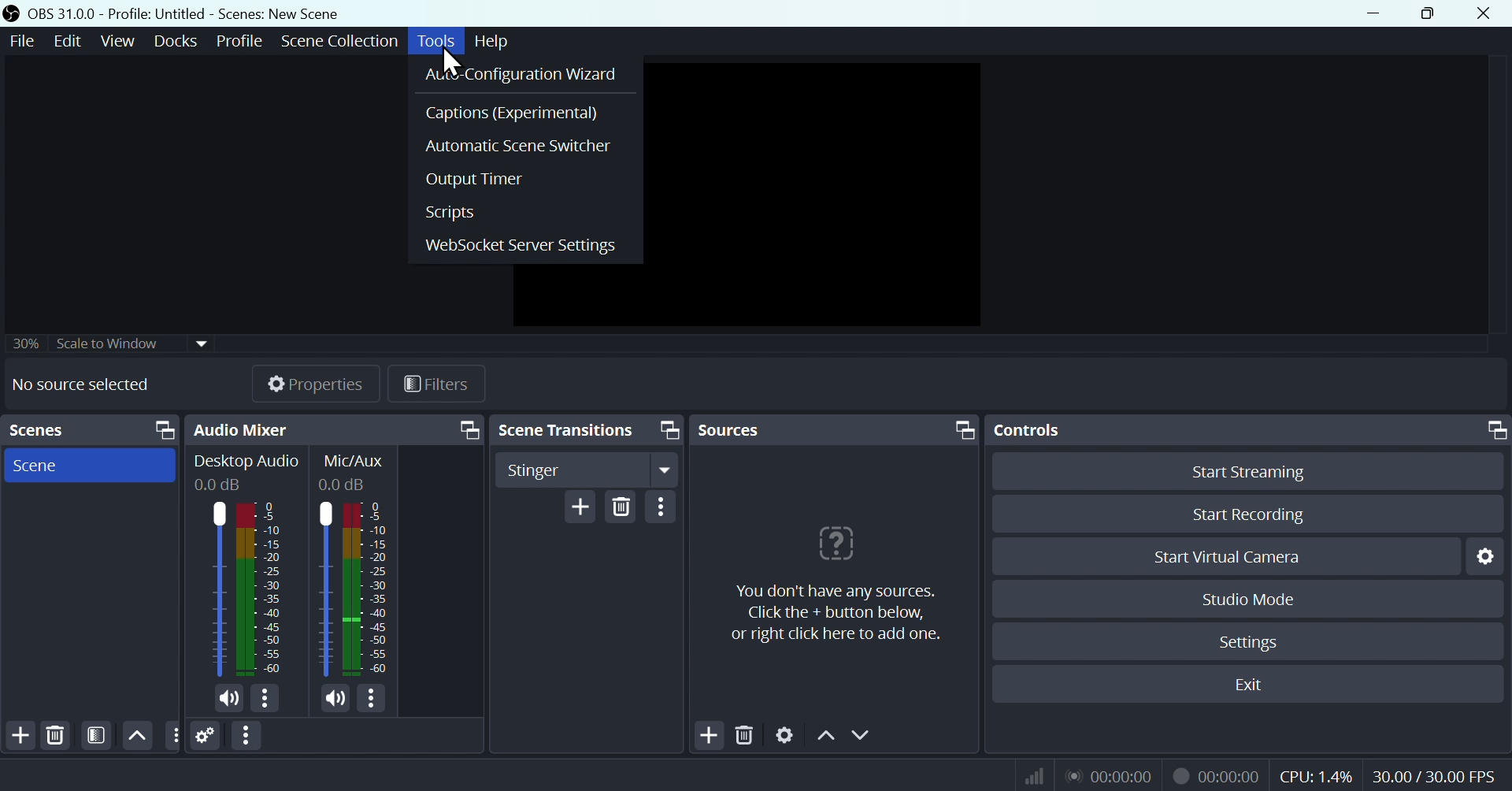  What do you see at coordinates (24, 41) in the screenshot?
I see `File` at bounding box center [24, 41].